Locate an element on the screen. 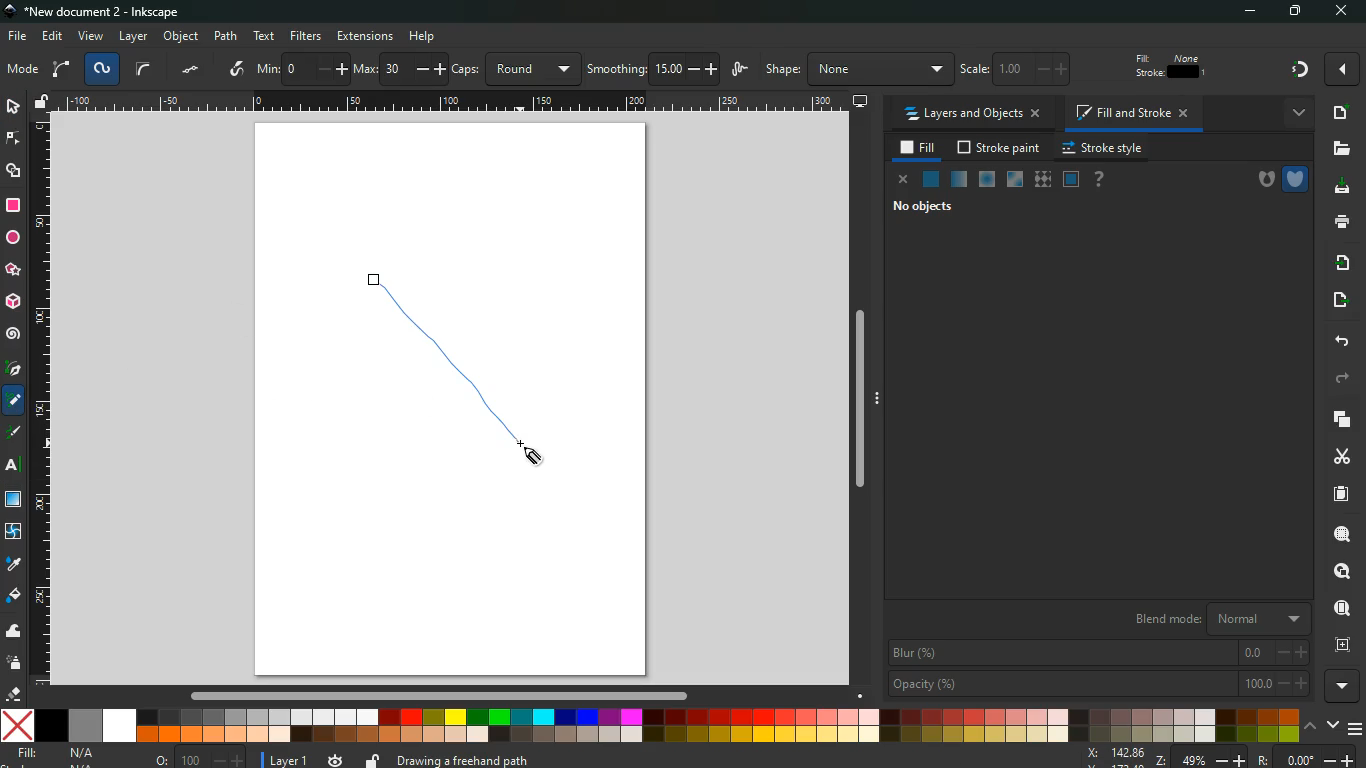  arc is located at coordinates (61, 70).